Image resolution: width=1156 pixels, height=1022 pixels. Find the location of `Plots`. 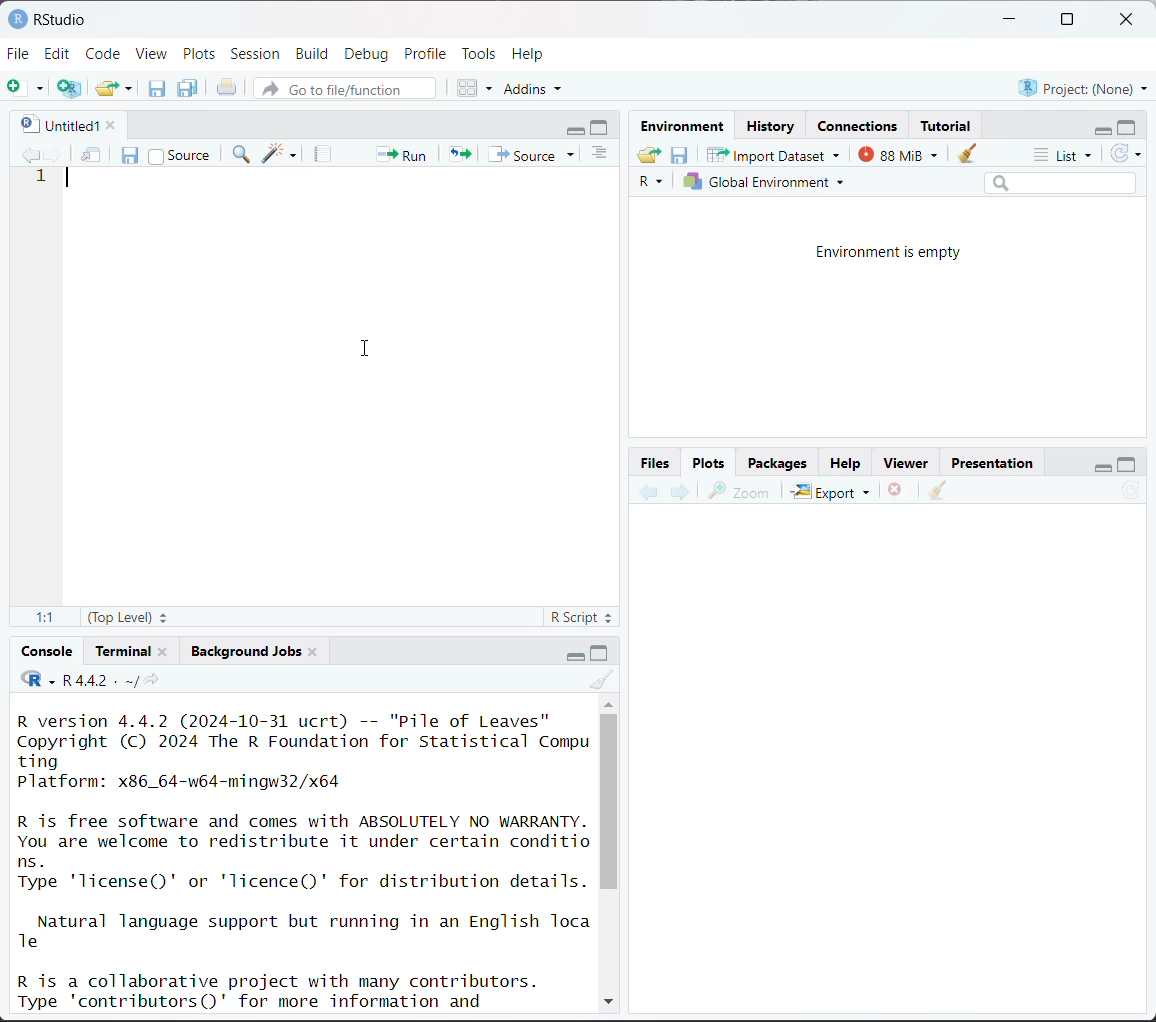

Plots is located at coordinates (709, 461).